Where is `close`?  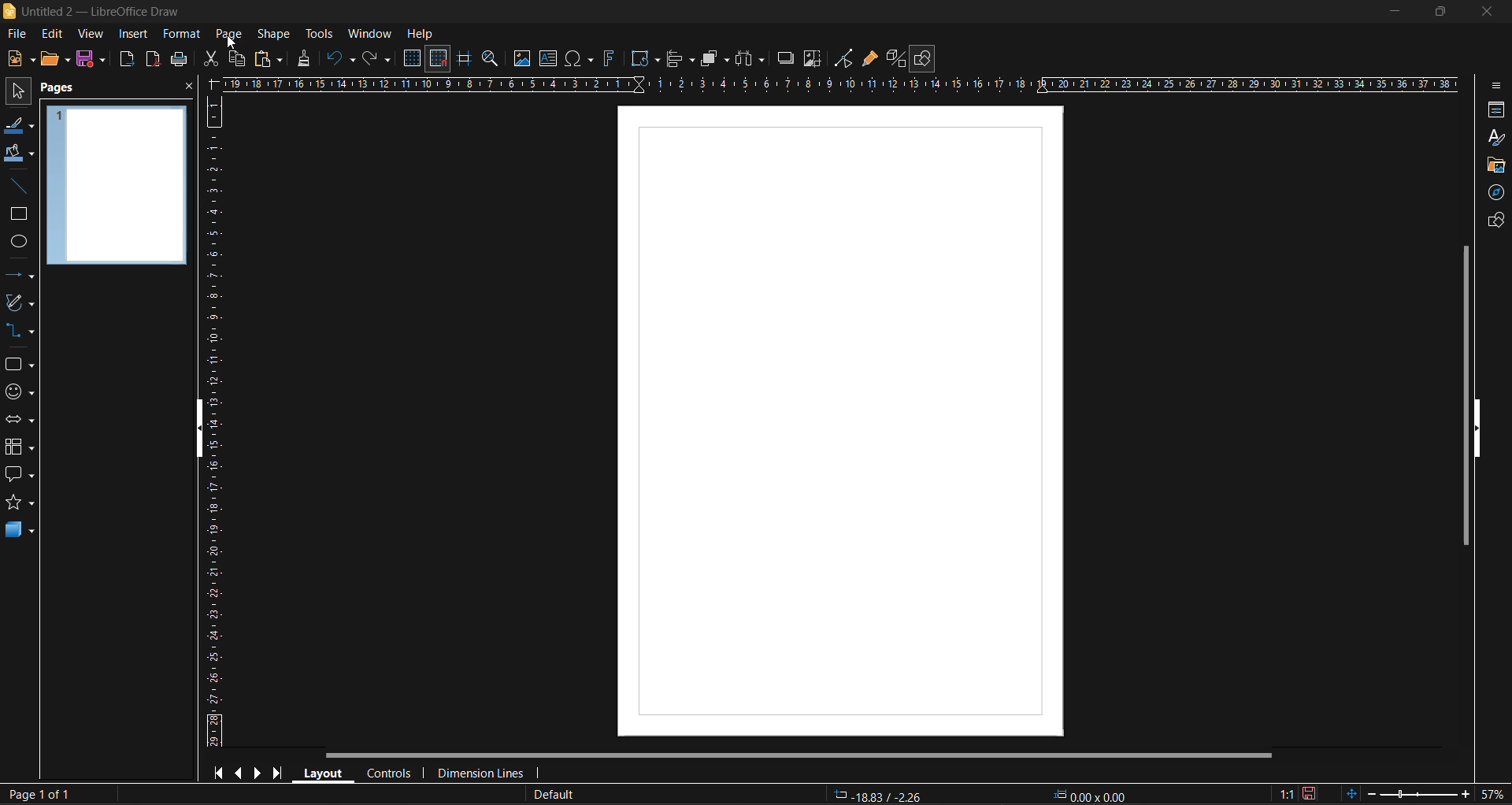 close is located at coordinates (1488, 13).